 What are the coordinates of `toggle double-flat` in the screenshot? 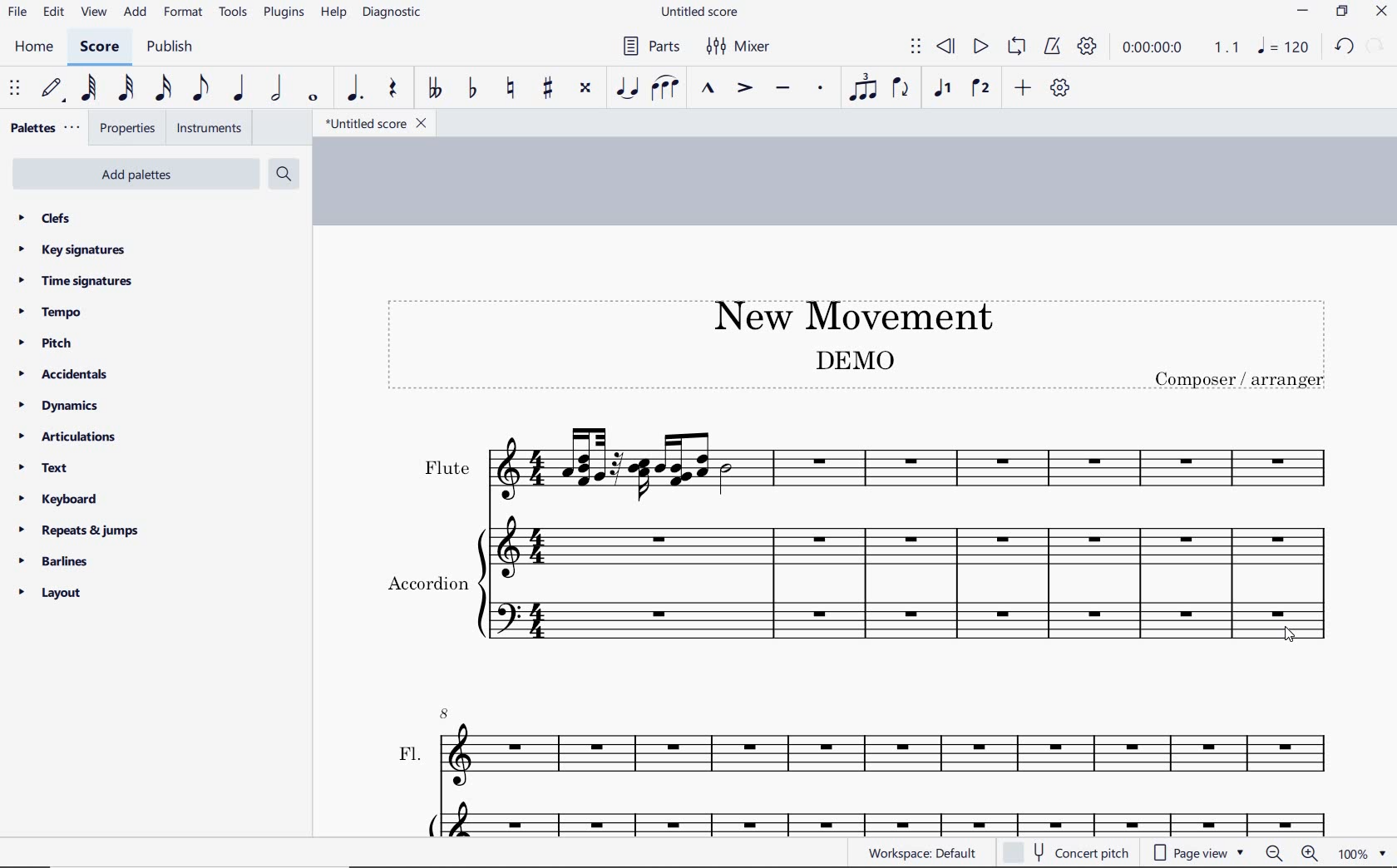 It's located at (434, 89).